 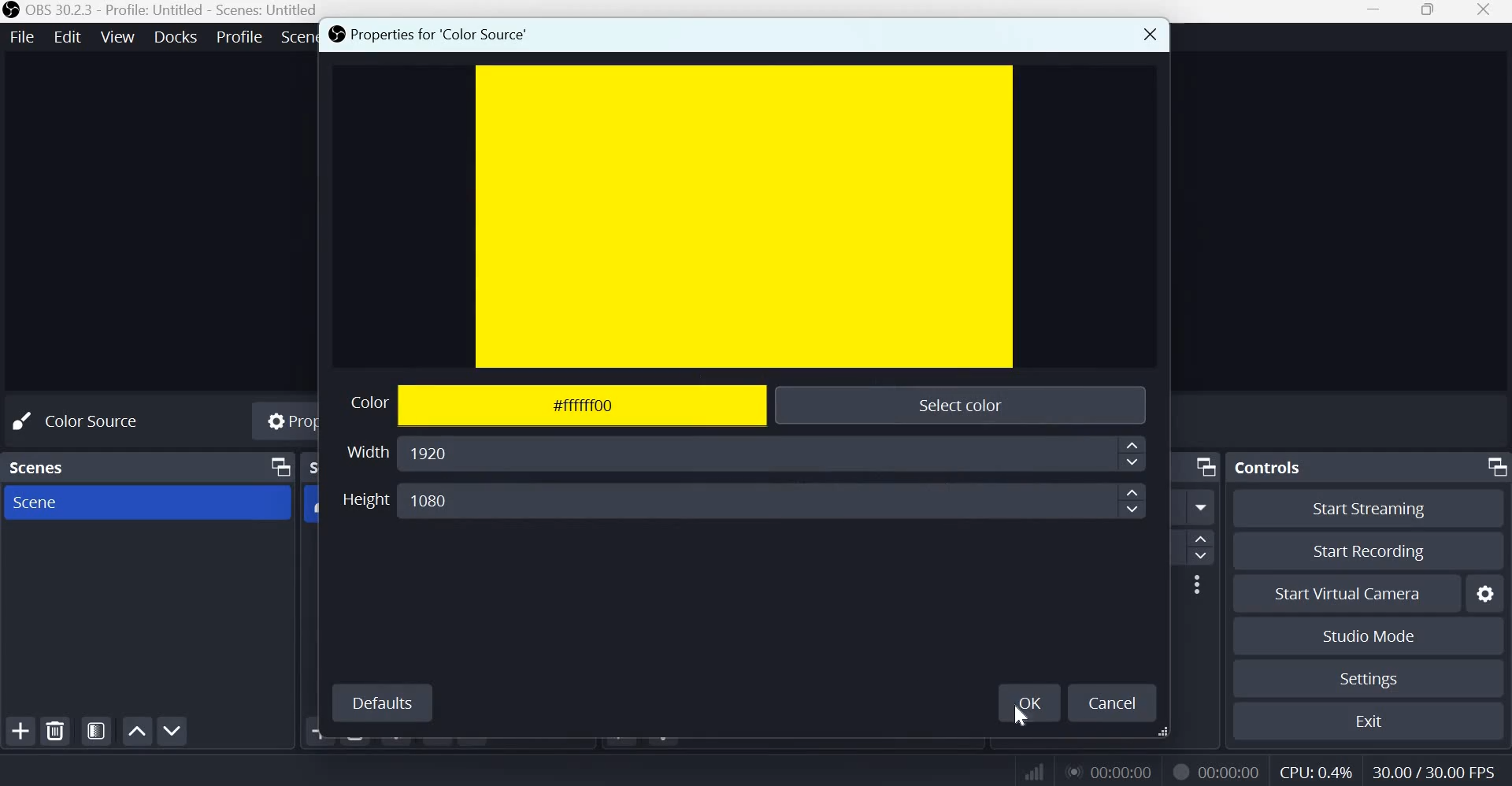 What do you see at coordinates (1202, 466) in the screenshot?
I see `Dock Options icon` at bounding box center [1202, 466].